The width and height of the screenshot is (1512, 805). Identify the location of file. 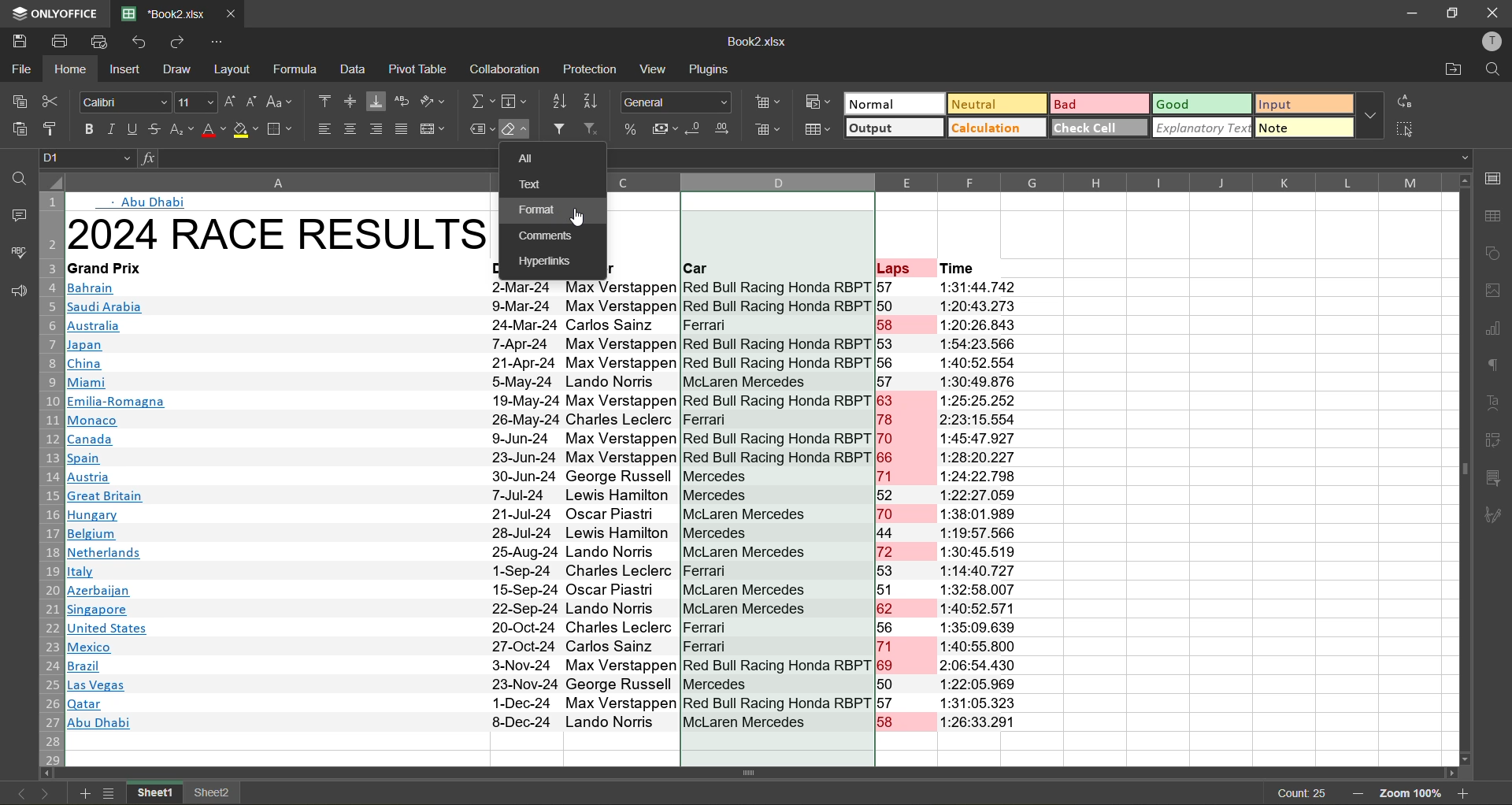
(20, 69).